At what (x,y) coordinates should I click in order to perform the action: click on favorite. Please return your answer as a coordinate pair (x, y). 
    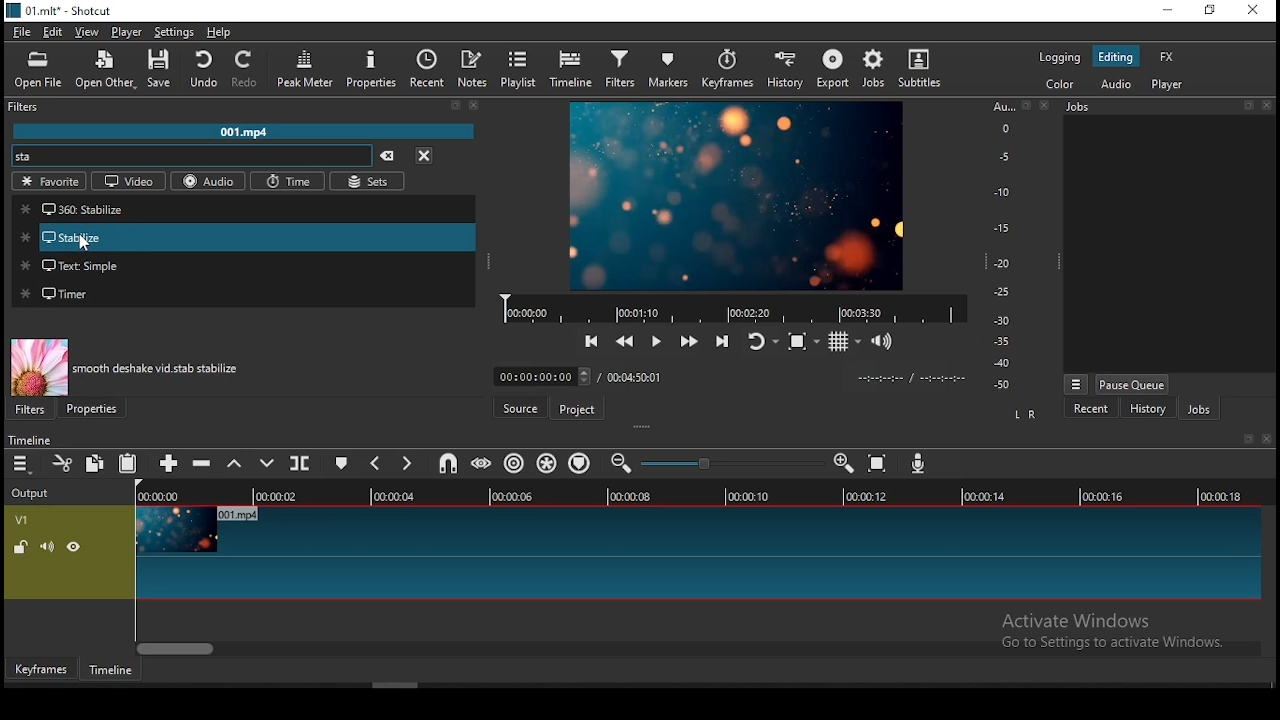
    Looking at the image, I should click on (49, 180).